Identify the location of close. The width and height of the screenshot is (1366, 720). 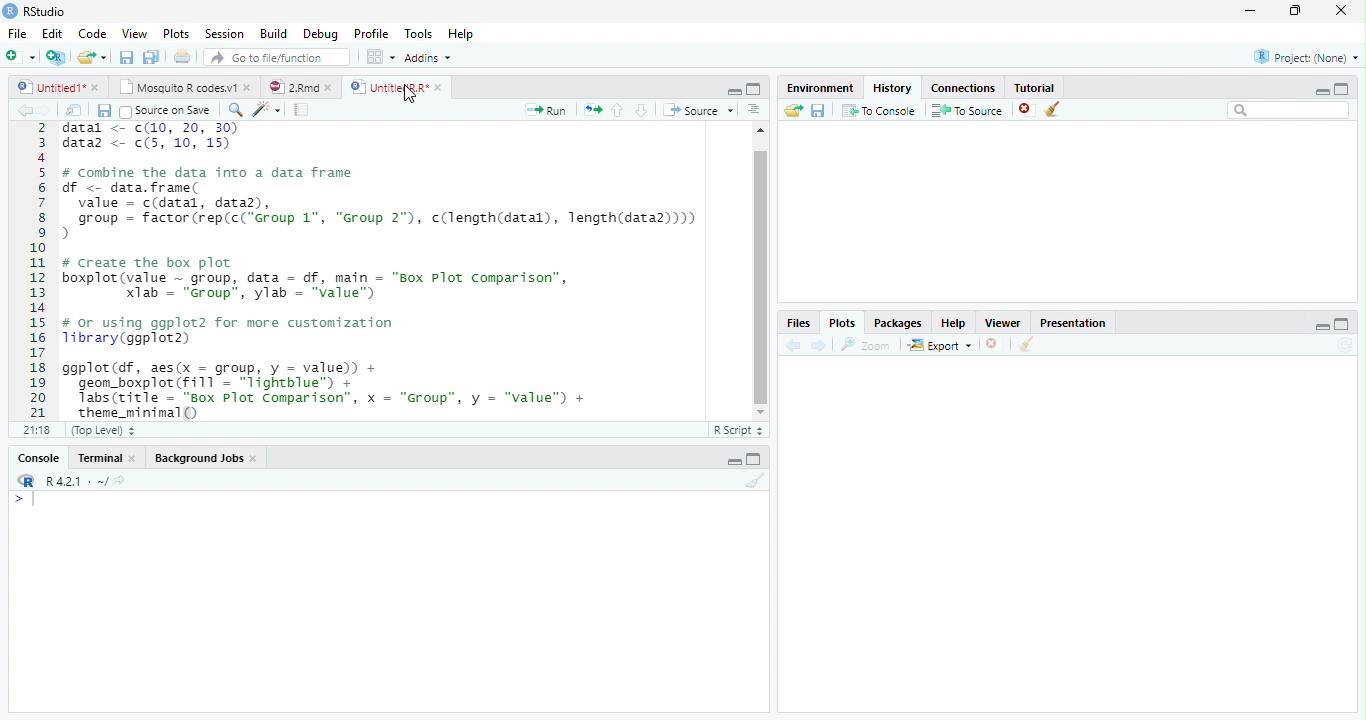
(248, 87).